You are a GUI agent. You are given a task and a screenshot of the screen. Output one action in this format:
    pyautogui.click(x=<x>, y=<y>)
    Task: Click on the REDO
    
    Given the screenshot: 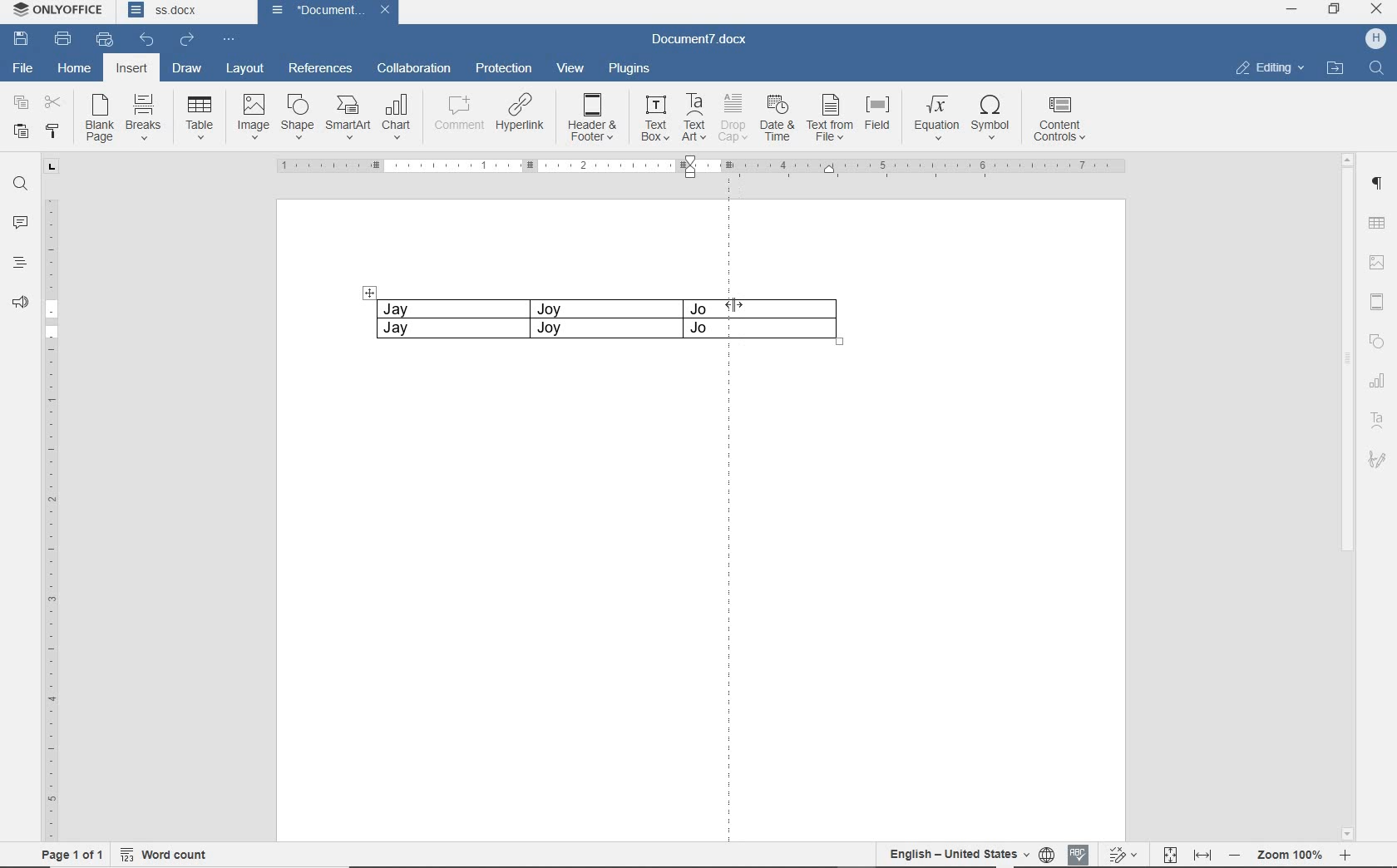 What is the action you would take?
    pyautogui.click(x=187, y=40)
    